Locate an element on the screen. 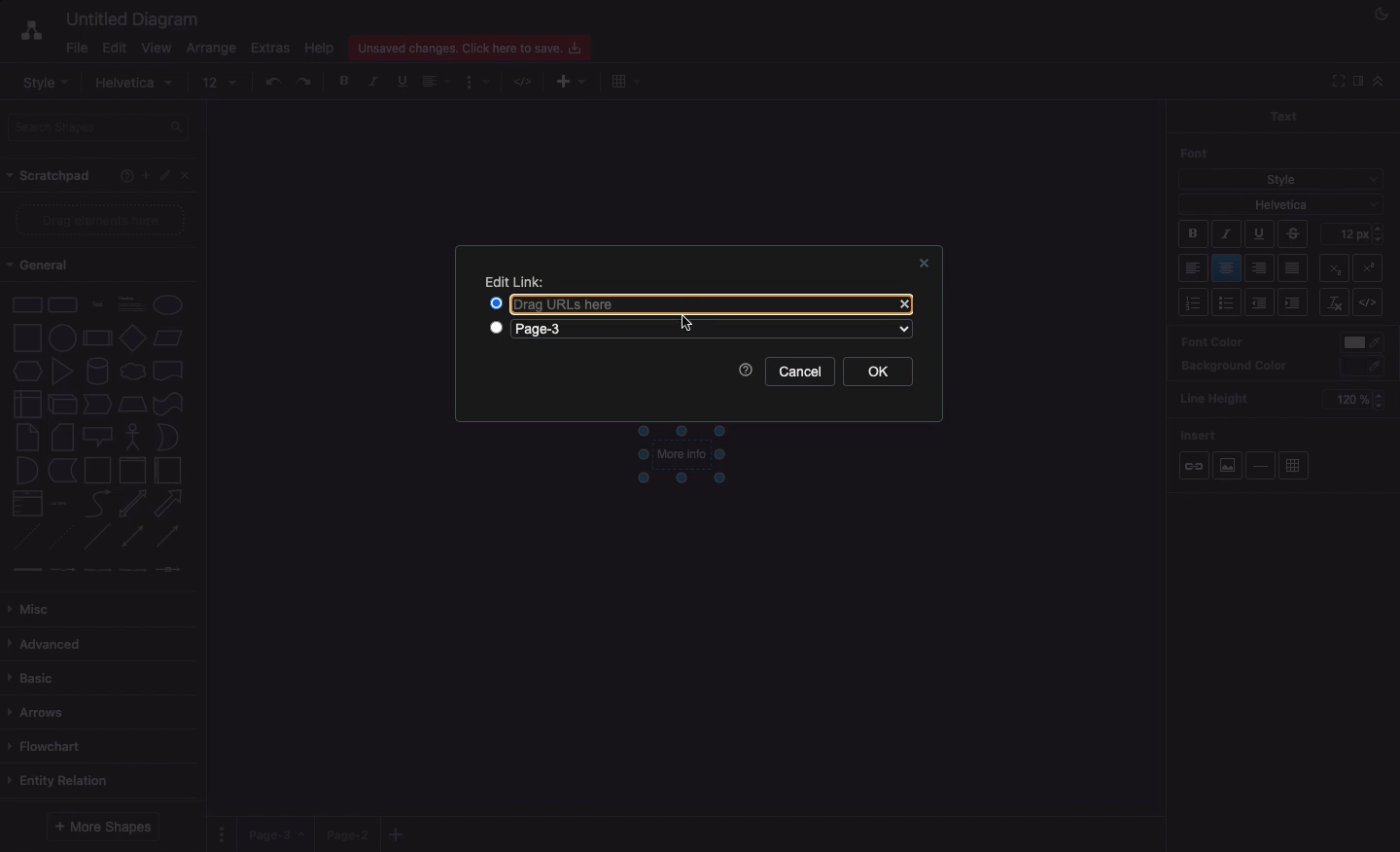 The width and height of the screenshot is (1400, 852). connector with 3 labels is located at coordinates (133, 570).